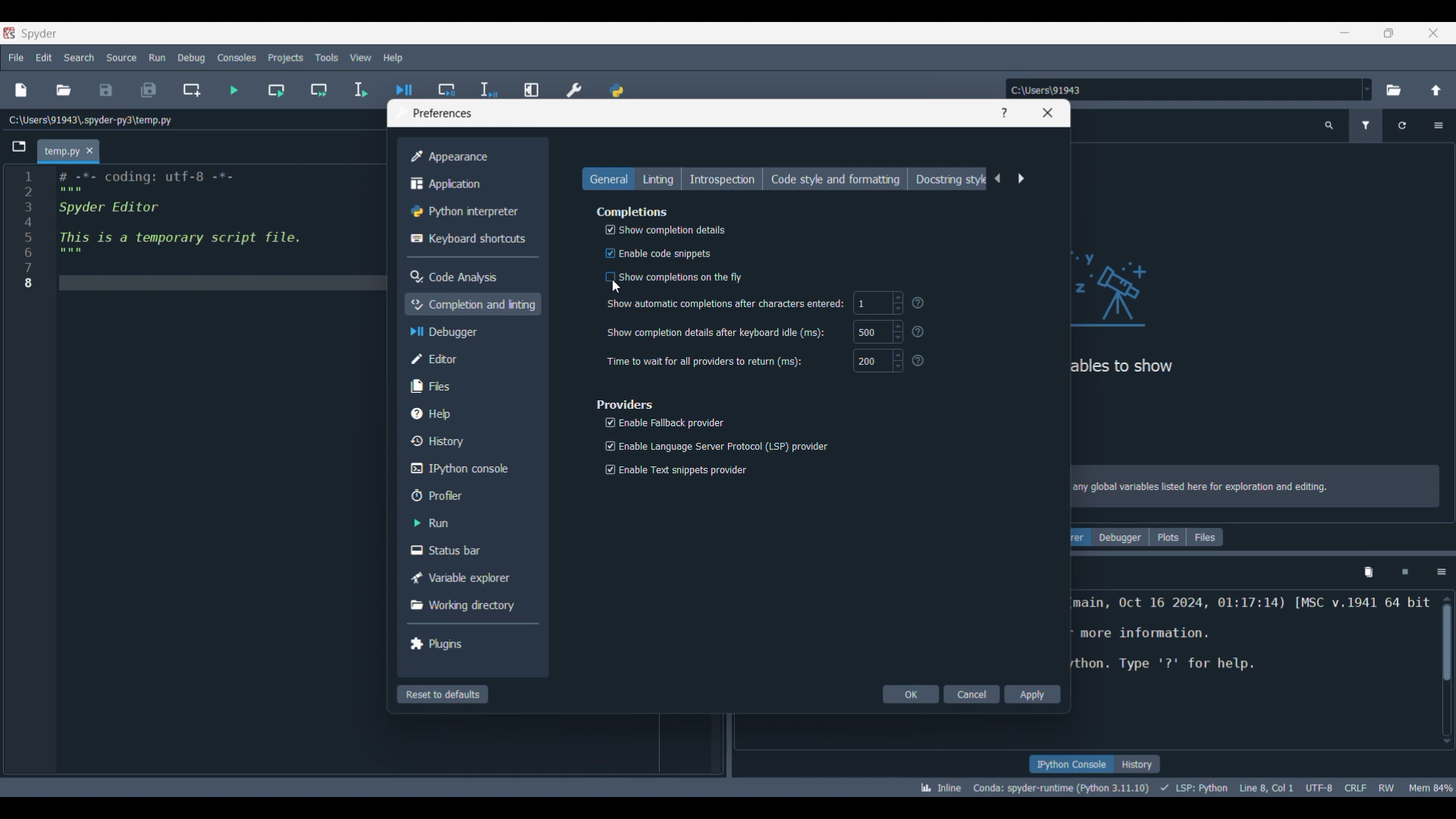 Image resolution: width=1456 pixels, height=819 pixels. I want to click on Enable Fallback provider, so click(664, 422).